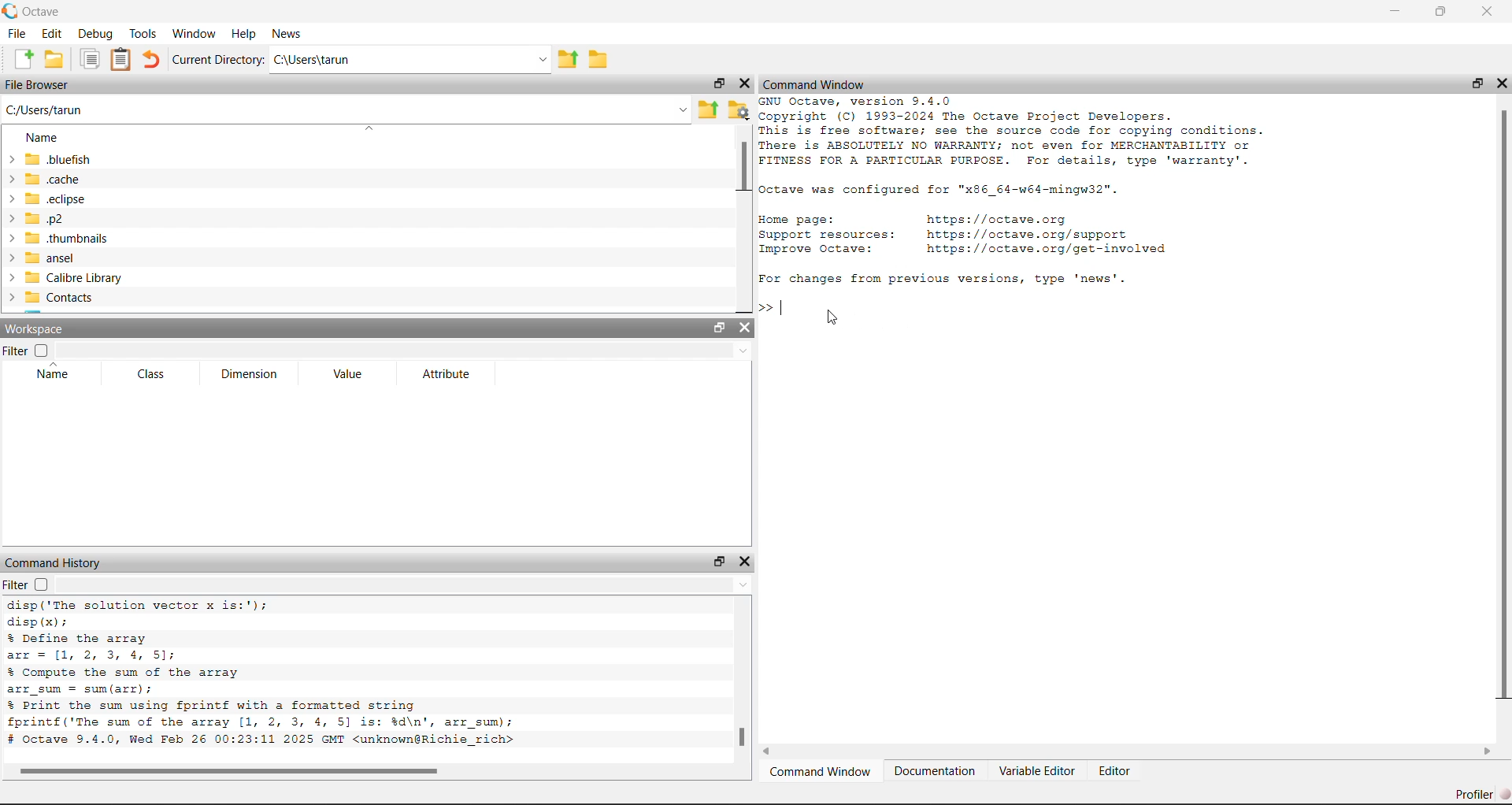  I want to click on Name, so click(38, 135).